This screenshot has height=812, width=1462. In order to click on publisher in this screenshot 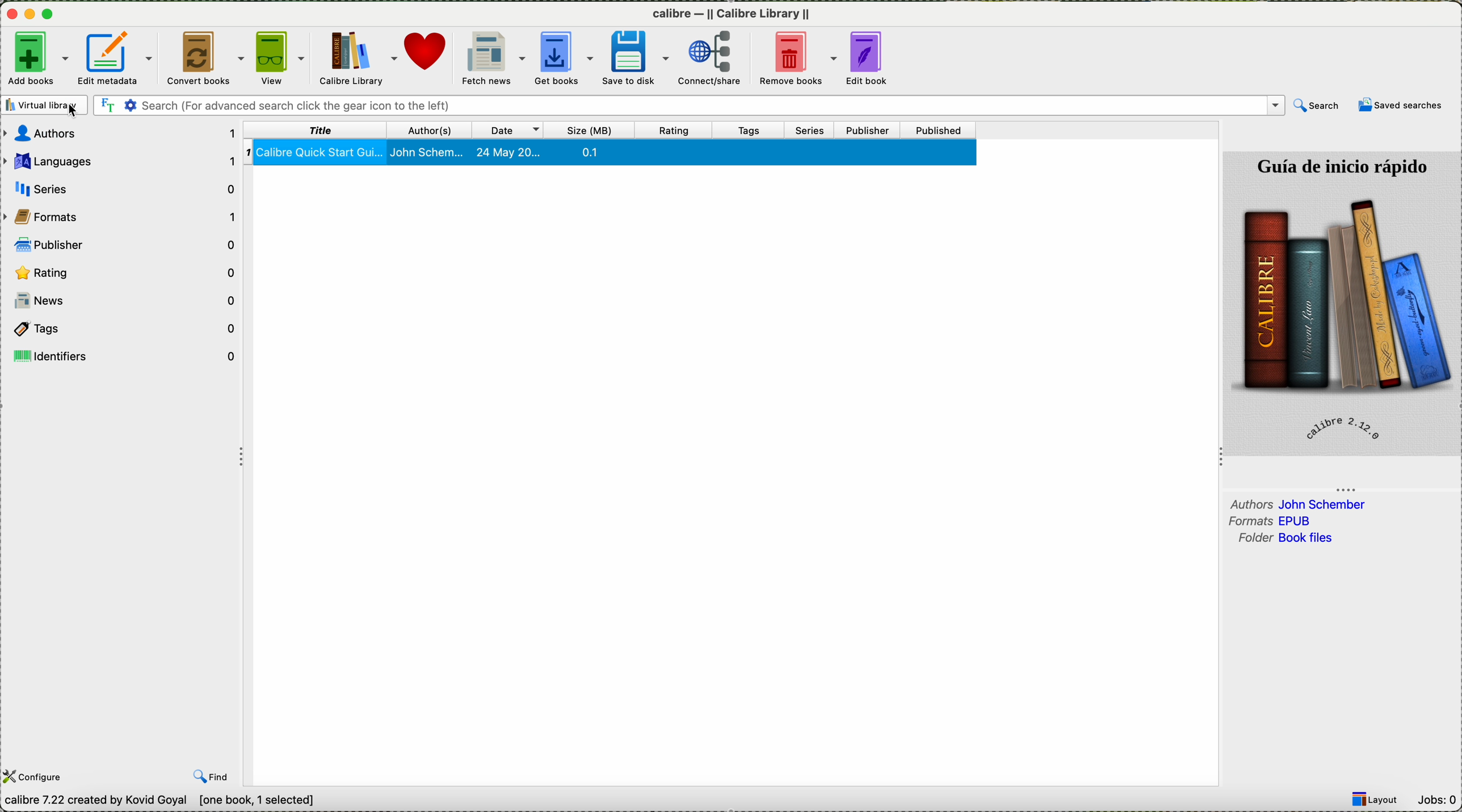, I will do `click(870, 128)`.